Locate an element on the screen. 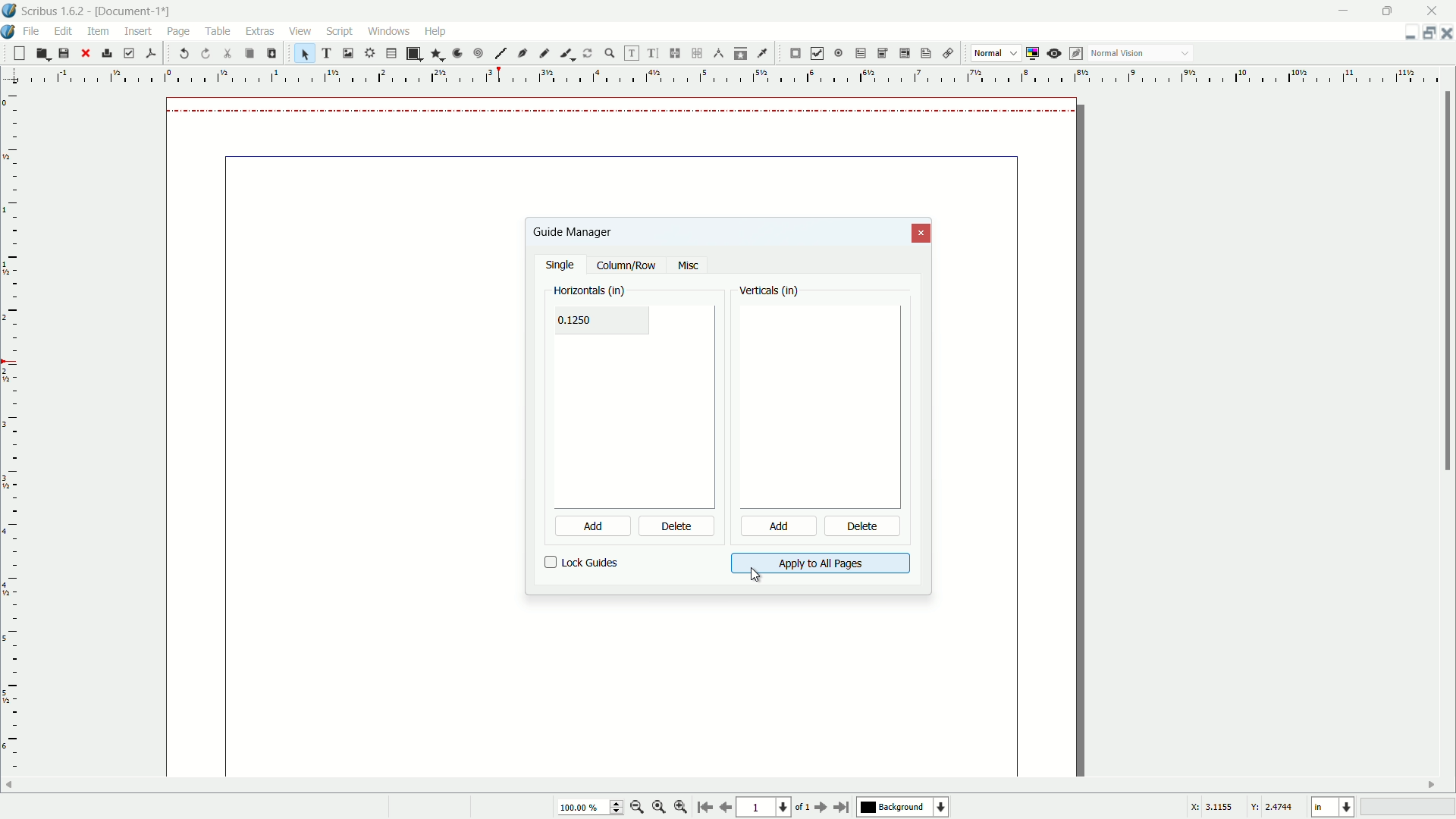 Image resolution: width=1456 pixels, height=819 pixels. calligraphic item is located at coordinates (565, 53).